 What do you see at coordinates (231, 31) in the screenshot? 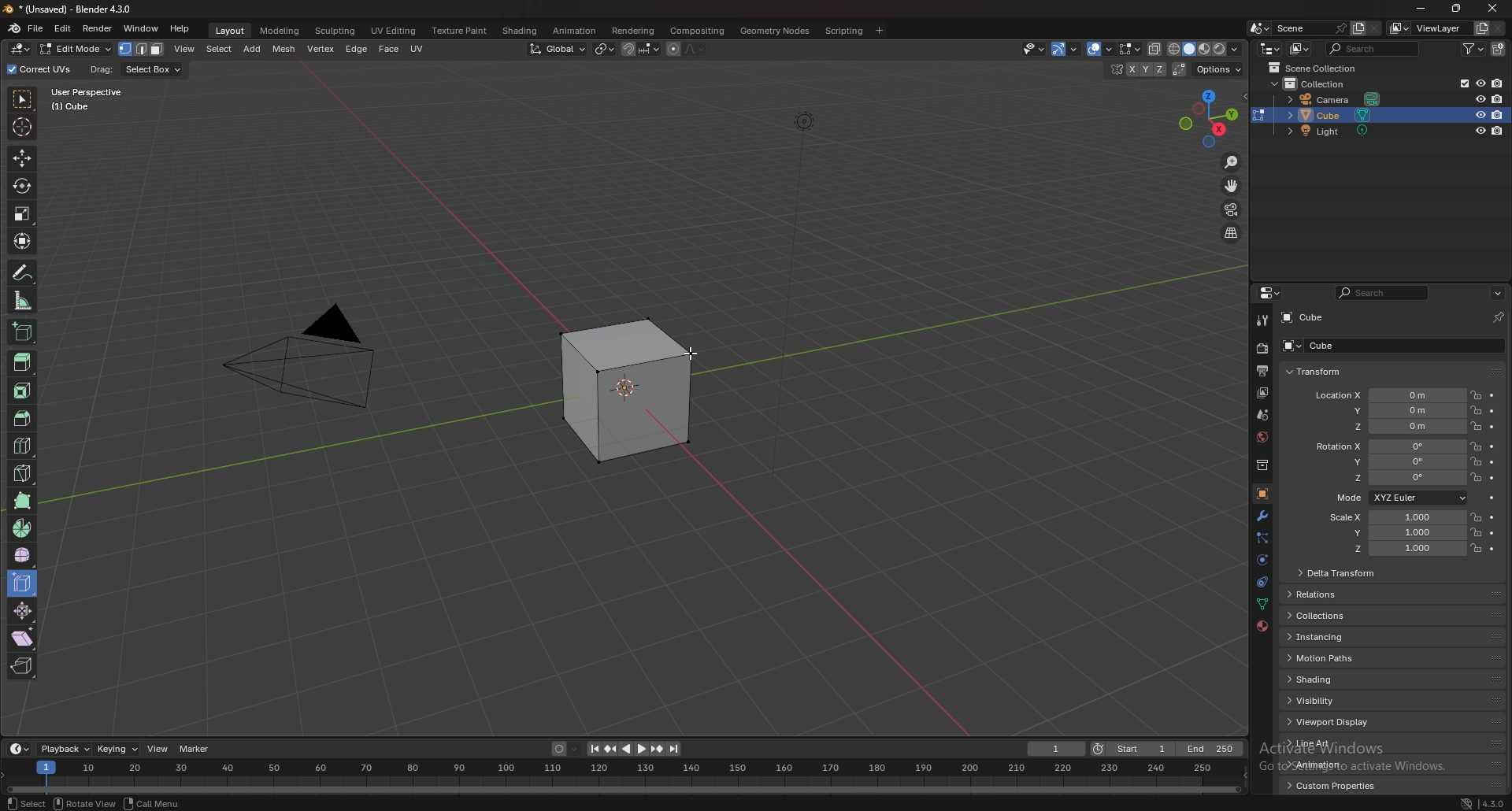
I see `layout` at bounding box center [231, 31].